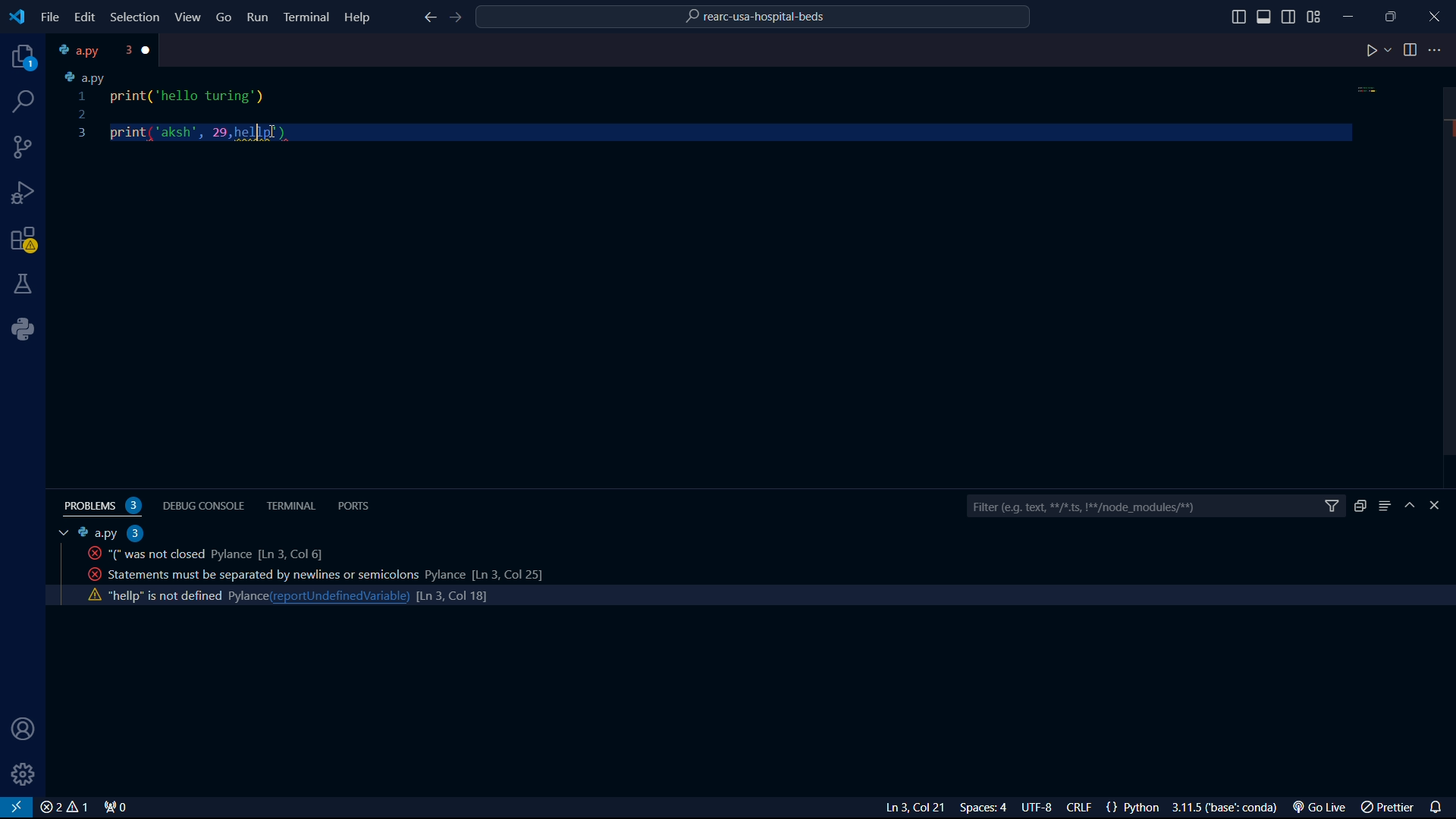 The height and width of the screenshot is (819, 1456). Describe the element at coordinates (206, 504) in the screenshot. I see `debug console` at that location.